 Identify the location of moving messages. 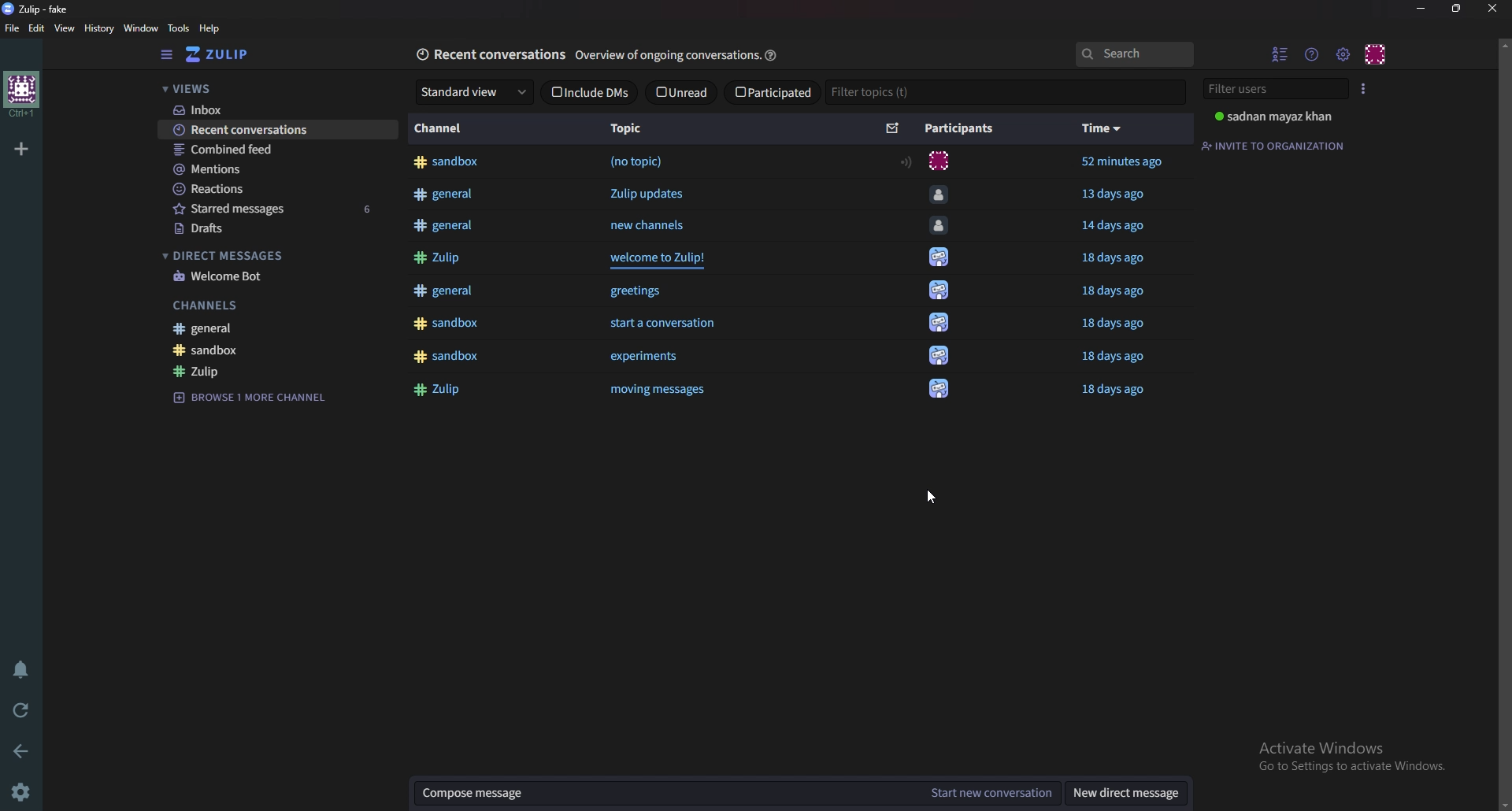
(673, 393).